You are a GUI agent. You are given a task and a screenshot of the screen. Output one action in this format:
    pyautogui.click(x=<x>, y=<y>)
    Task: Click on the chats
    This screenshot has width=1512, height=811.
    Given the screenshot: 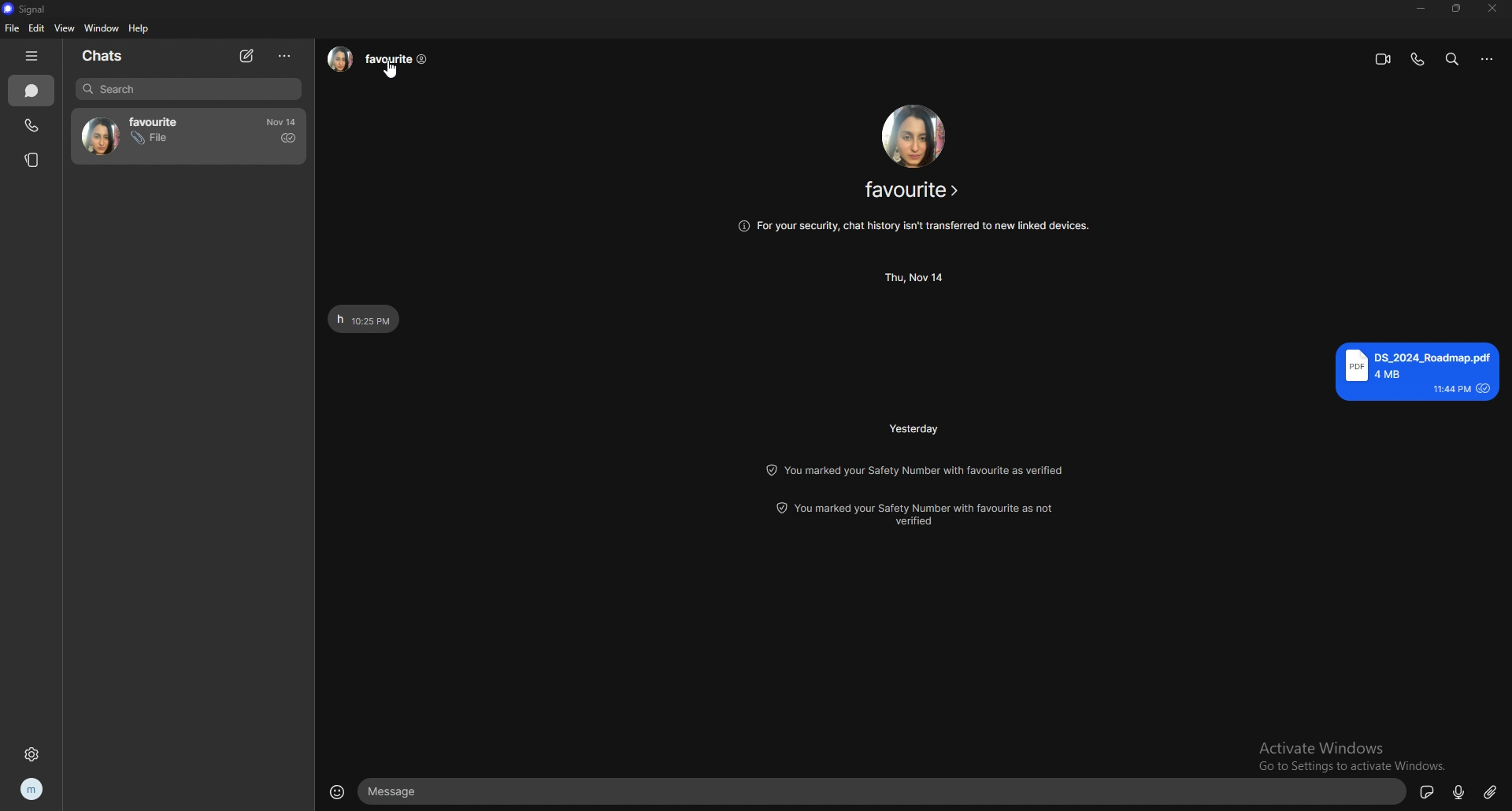 What is the action you would take?
    pyautogui.click(x=31, y=91)
    